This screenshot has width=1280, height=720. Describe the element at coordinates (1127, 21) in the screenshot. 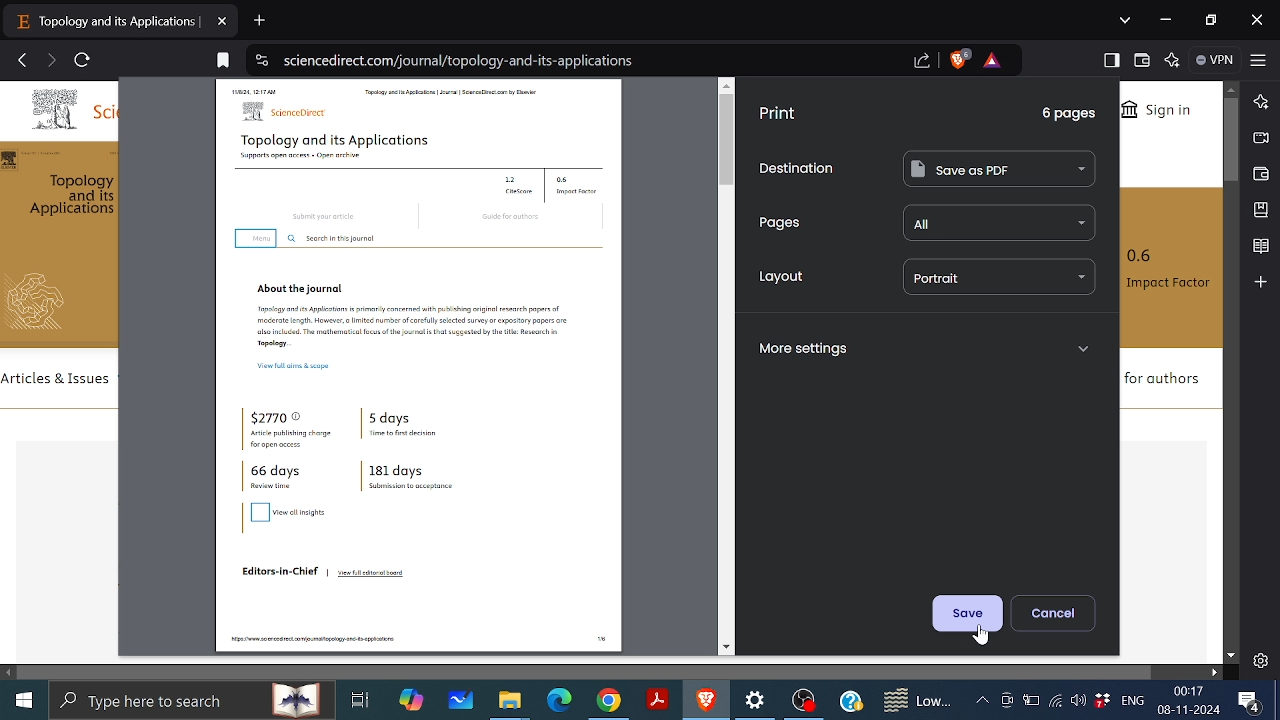

I see `Search tabs` at that location.